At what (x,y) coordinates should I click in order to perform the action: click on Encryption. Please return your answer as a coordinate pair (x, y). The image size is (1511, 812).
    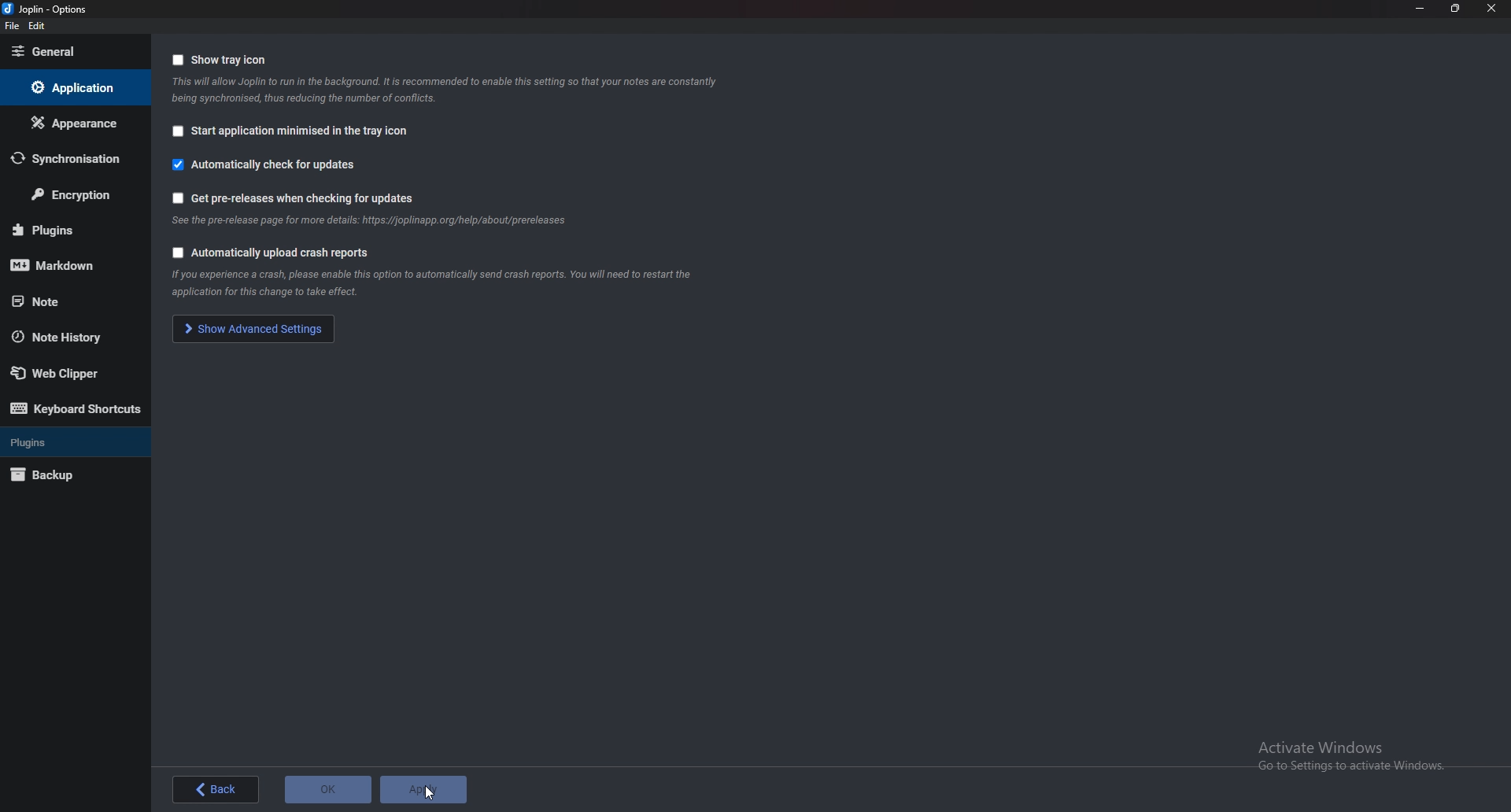
    Looking at the image, I should click on (78, 194).